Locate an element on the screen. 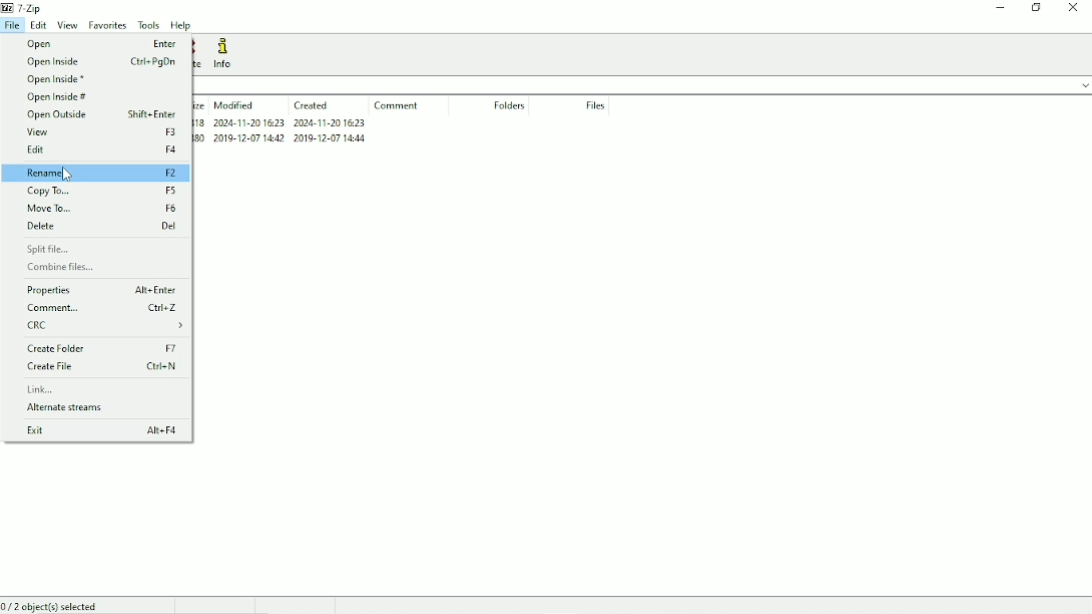 The image size is (1092, 614). drop down is located at coordinates (1078, 84).